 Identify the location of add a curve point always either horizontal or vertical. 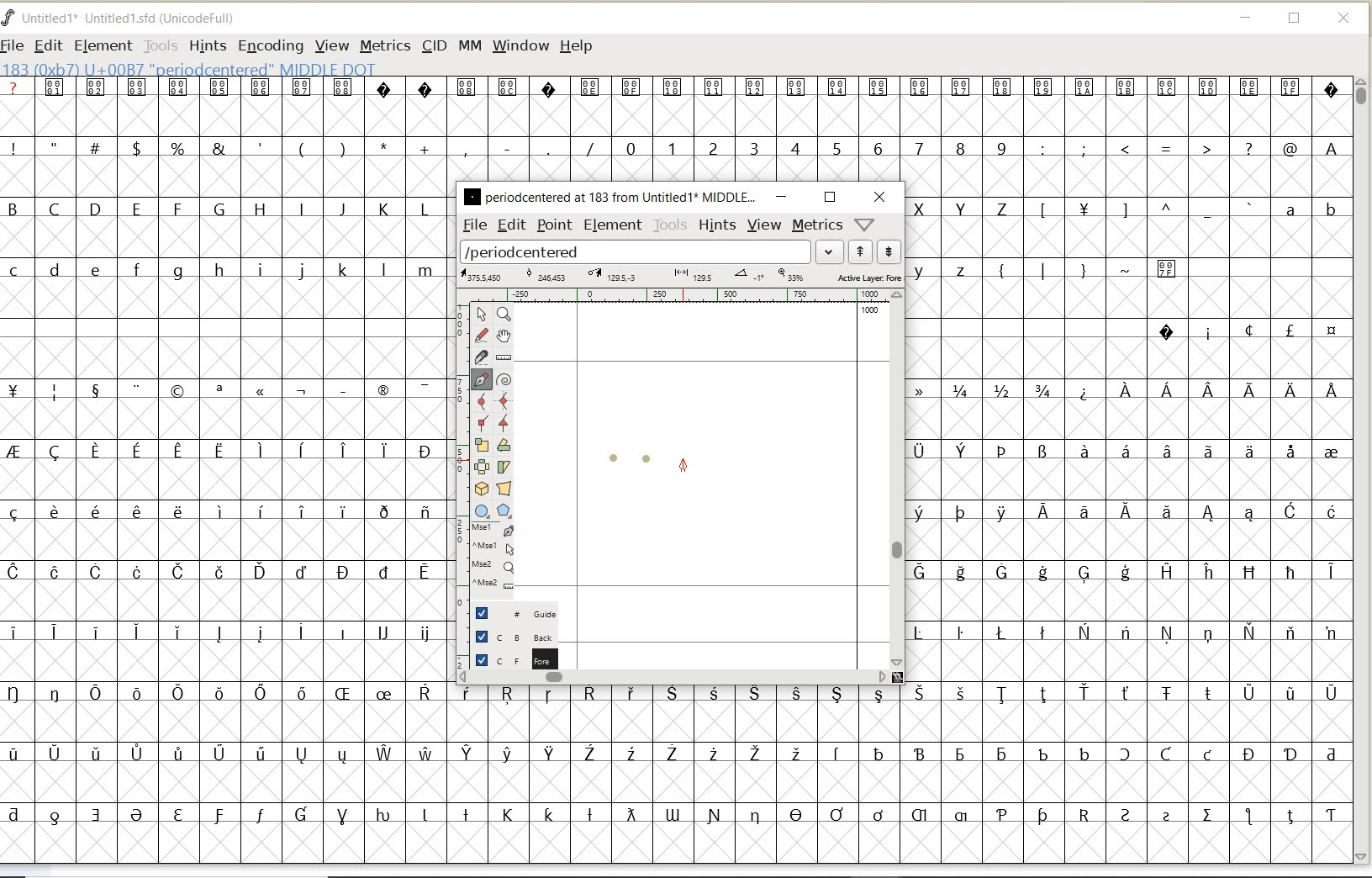
(504, 399).